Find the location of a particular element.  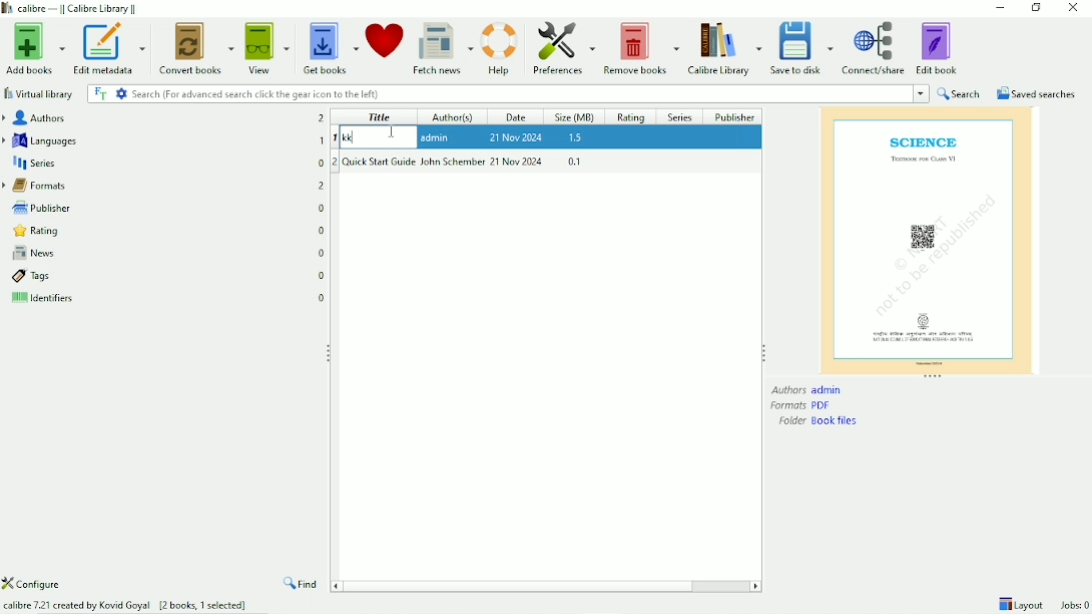

Preferences is located at coordinates (561, 49).